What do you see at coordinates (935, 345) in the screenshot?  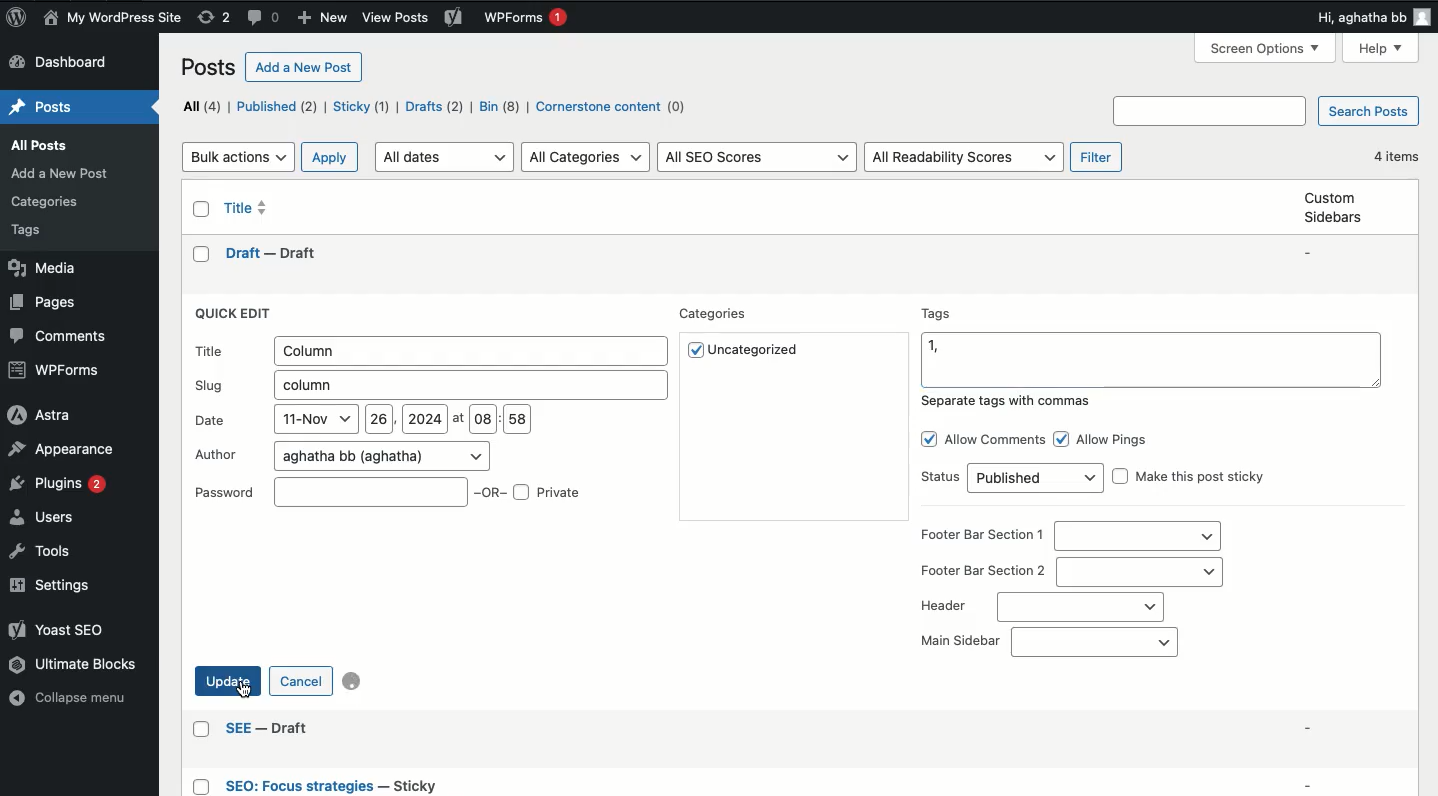 I see `1,` at bounding box center [935, 345].